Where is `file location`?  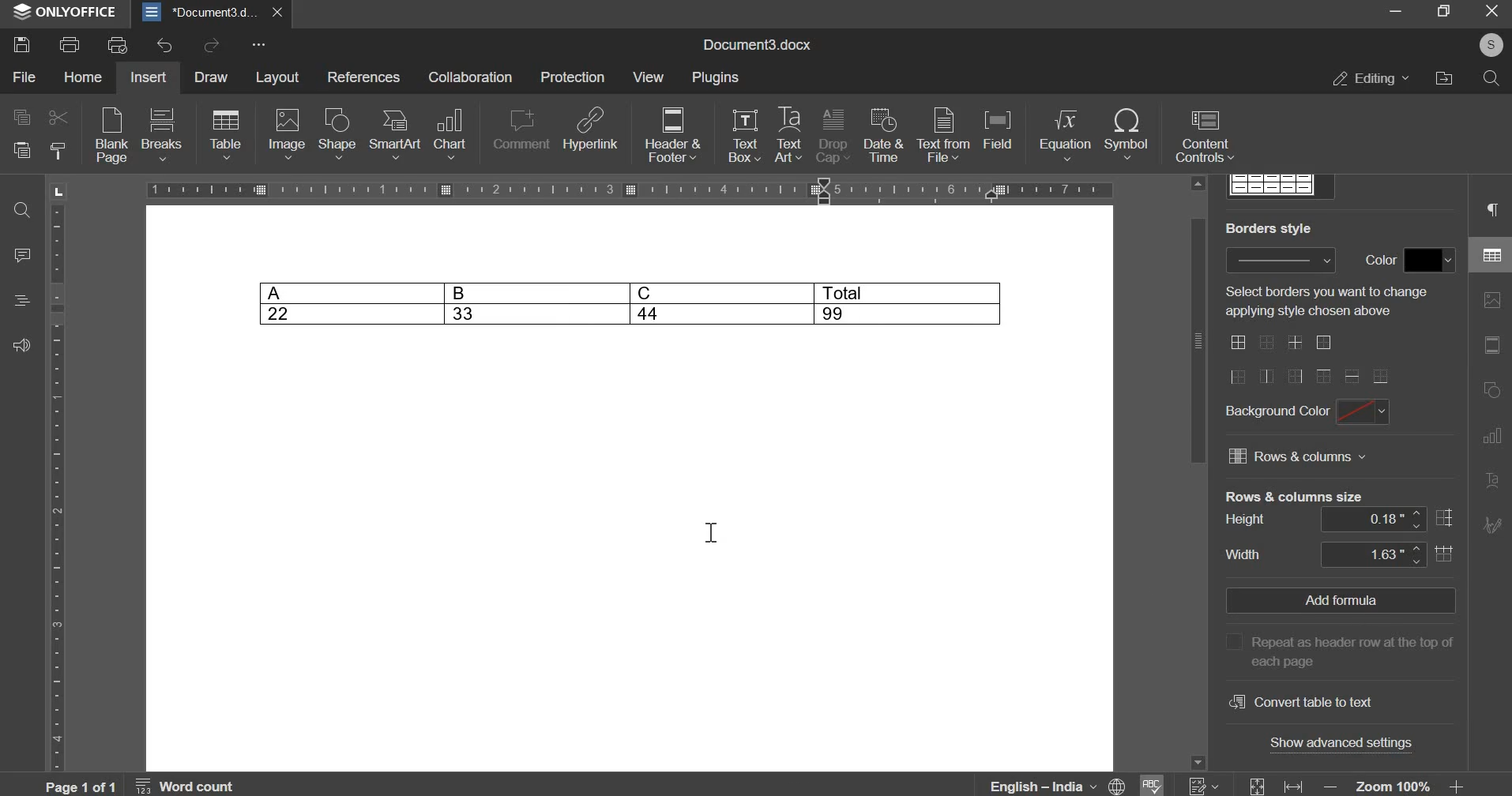
file location is located at coordinates (1448, 79).